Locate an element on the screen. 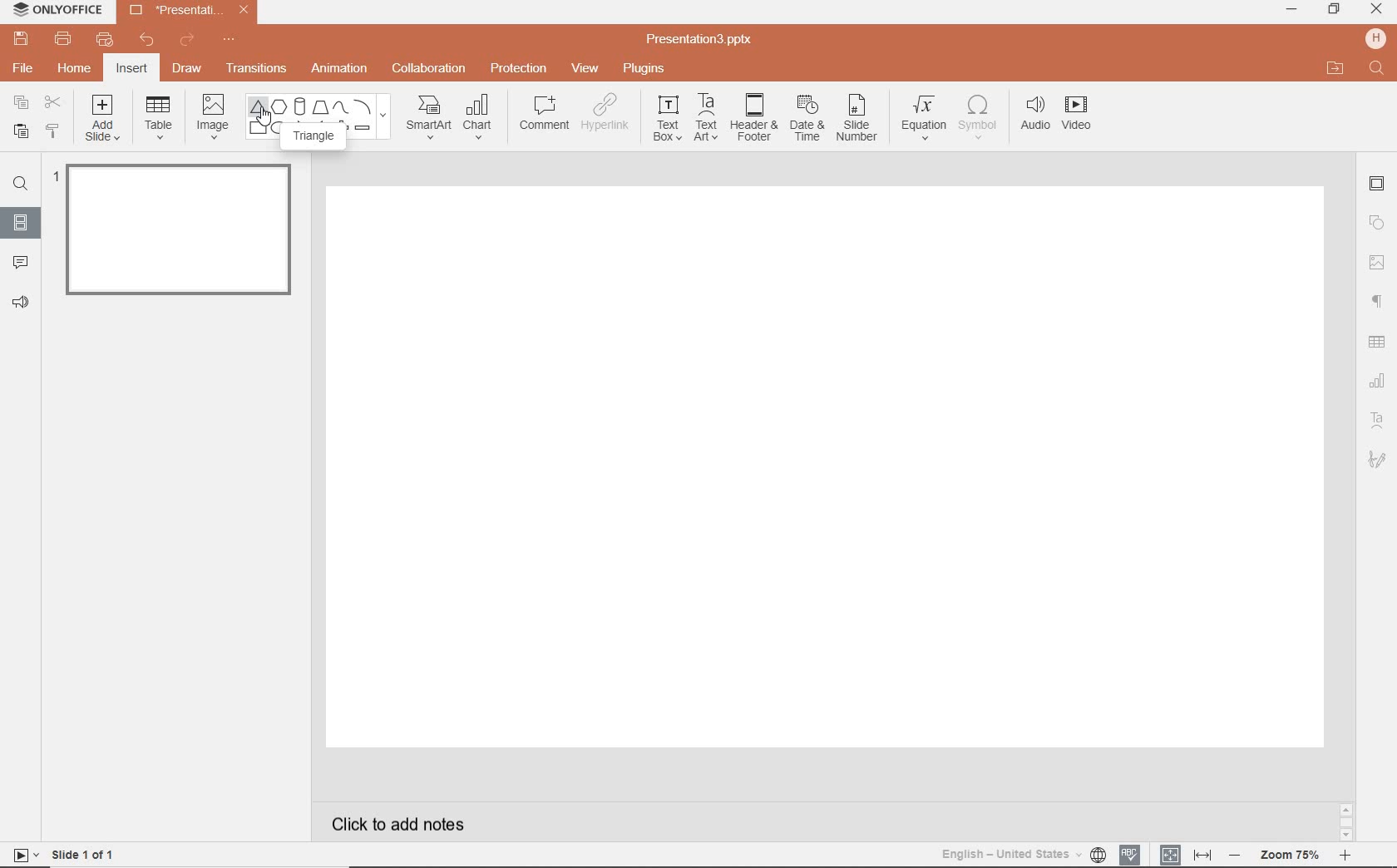 The image size is (1397, 868). HYPERLINK is located at coordinates (605, 117).